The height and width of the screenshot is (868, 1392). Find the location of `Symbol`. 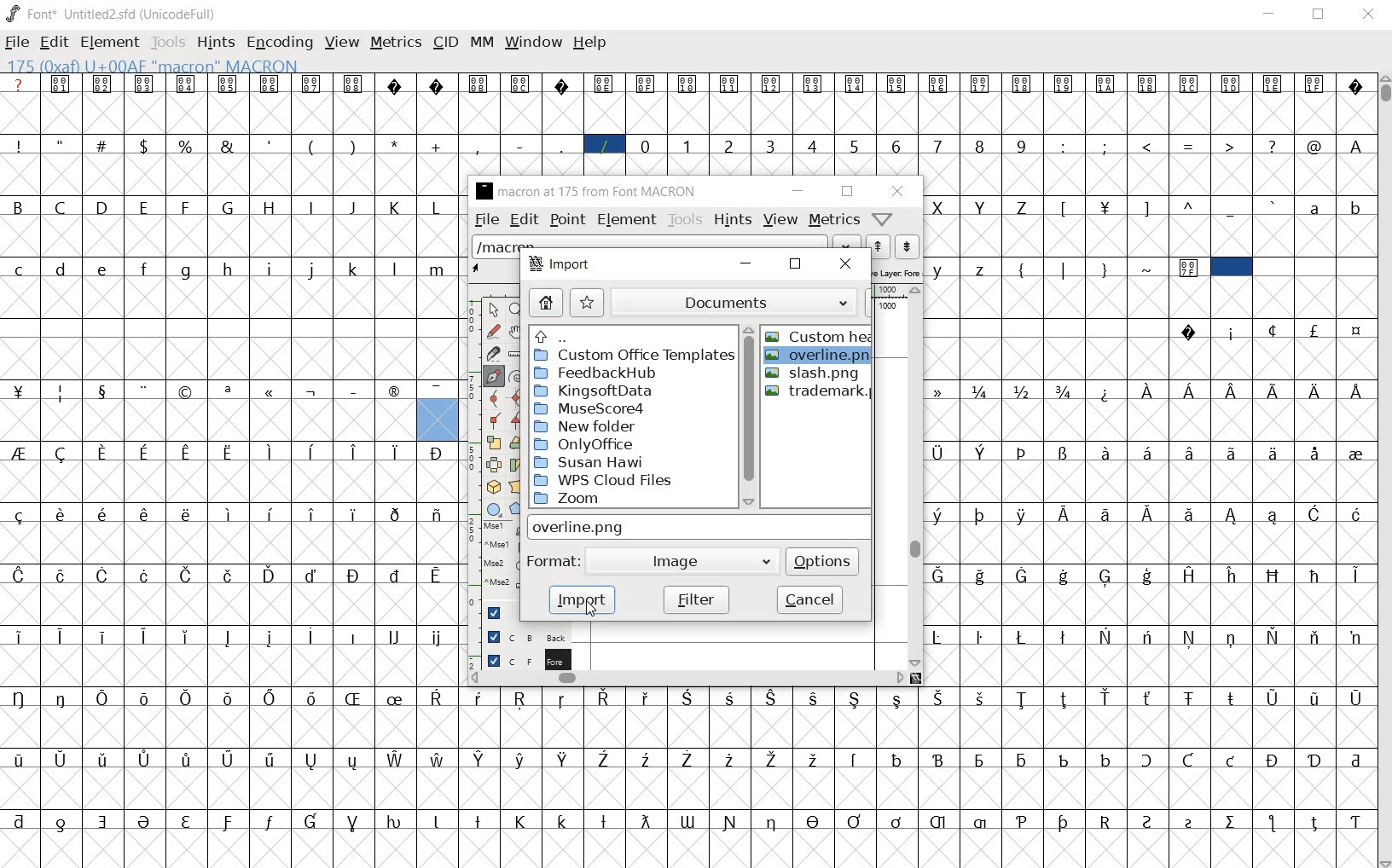

Symbol is located at coordinates (1146, 637).